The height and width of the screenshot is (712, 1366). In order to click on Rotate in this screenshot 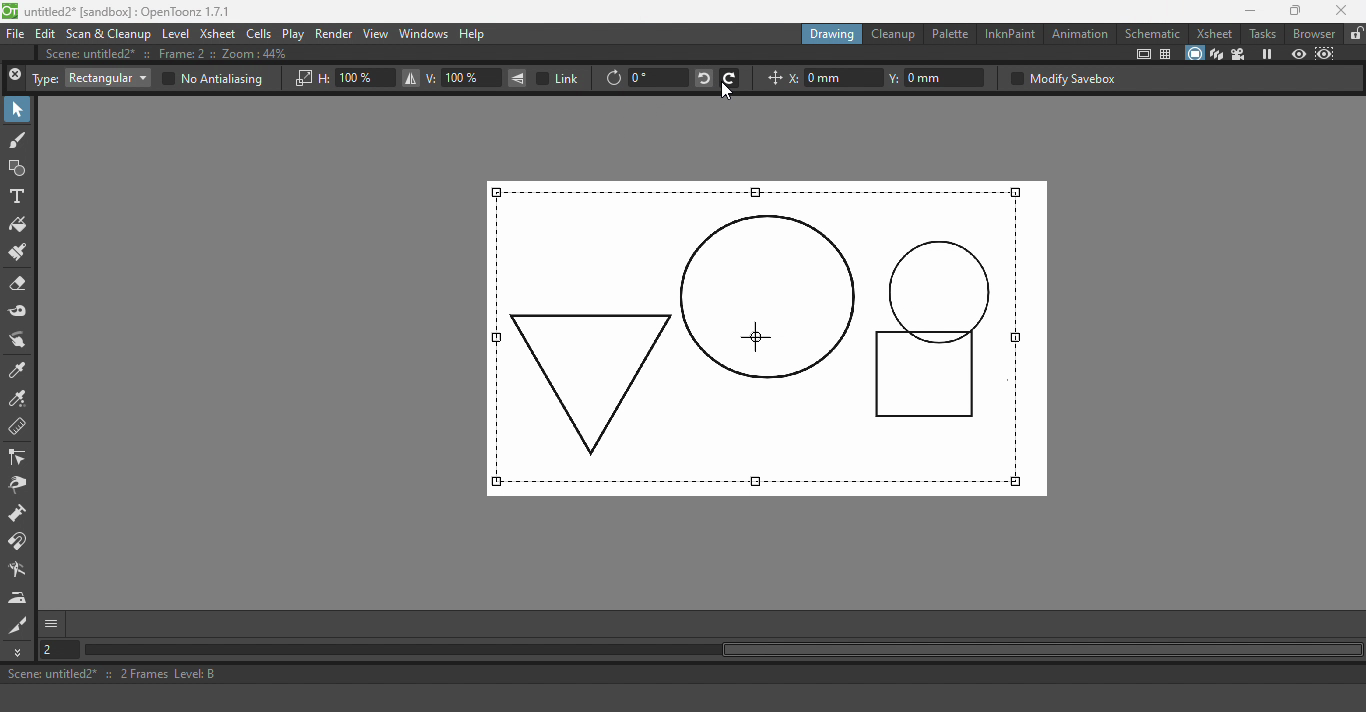, I will do `click(613, 79)`.